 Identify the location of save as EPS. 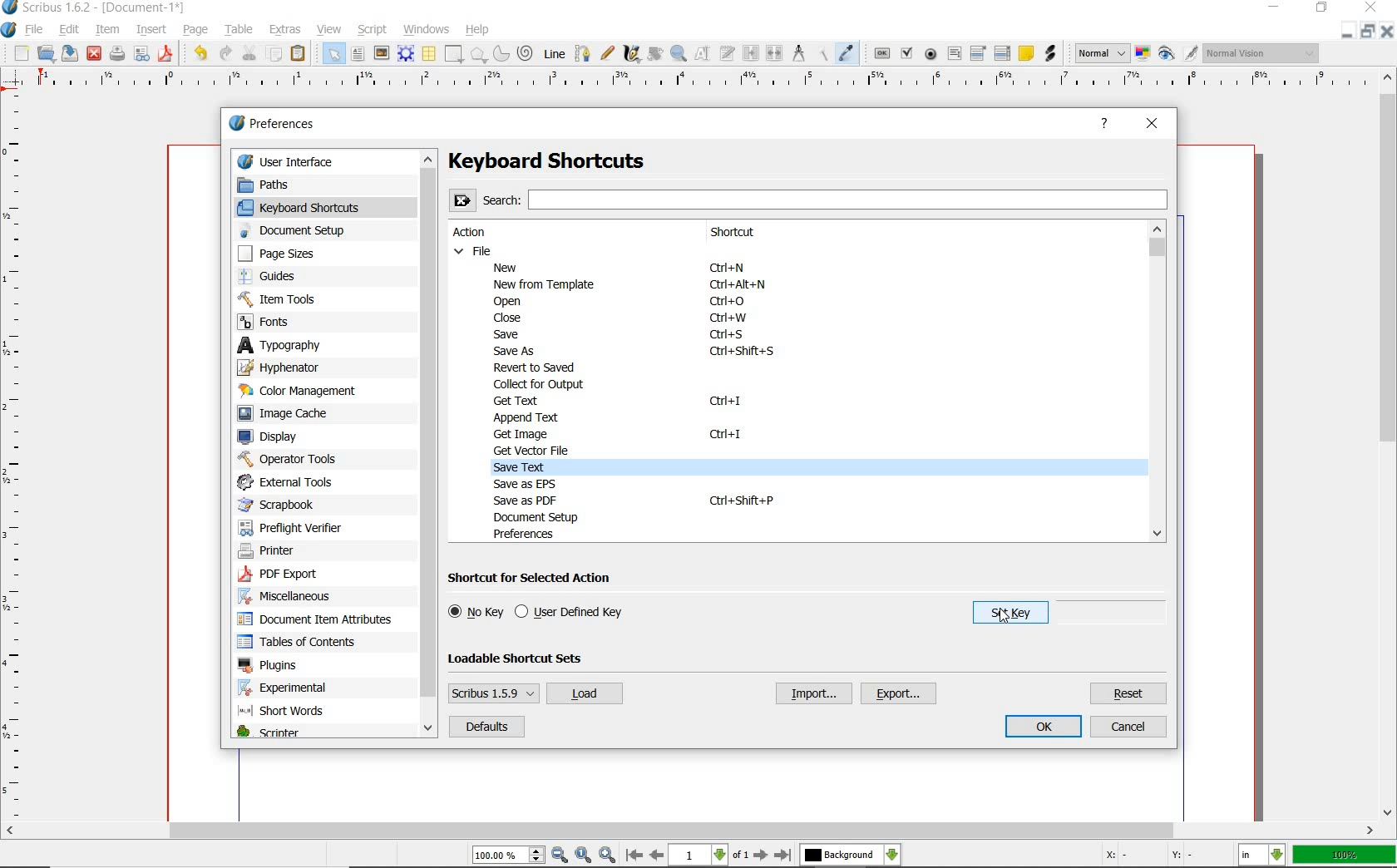
(526, 484).